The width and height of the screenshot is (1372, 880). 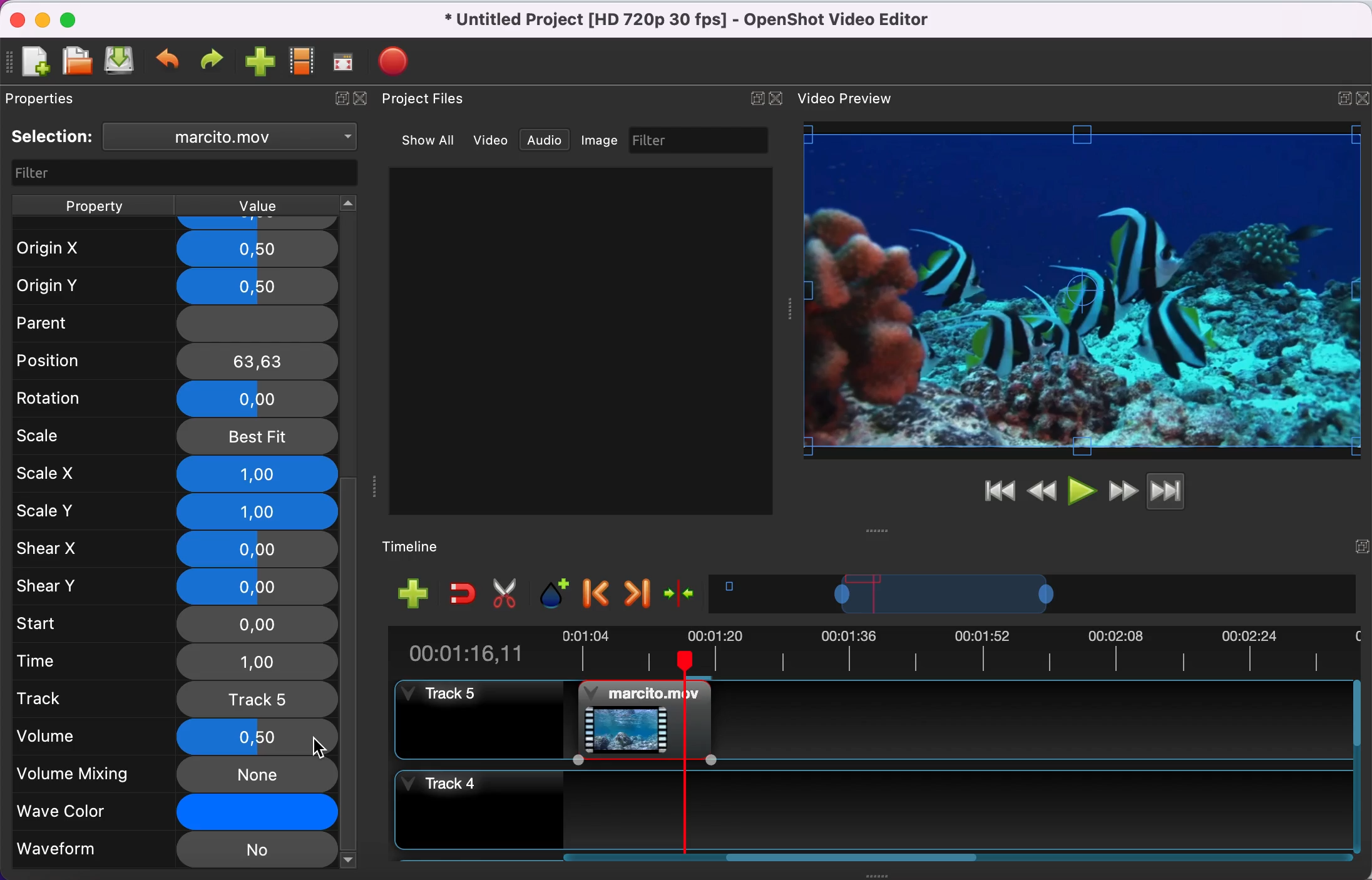 I want to click on rotation 0, so click(x=170, y=398).